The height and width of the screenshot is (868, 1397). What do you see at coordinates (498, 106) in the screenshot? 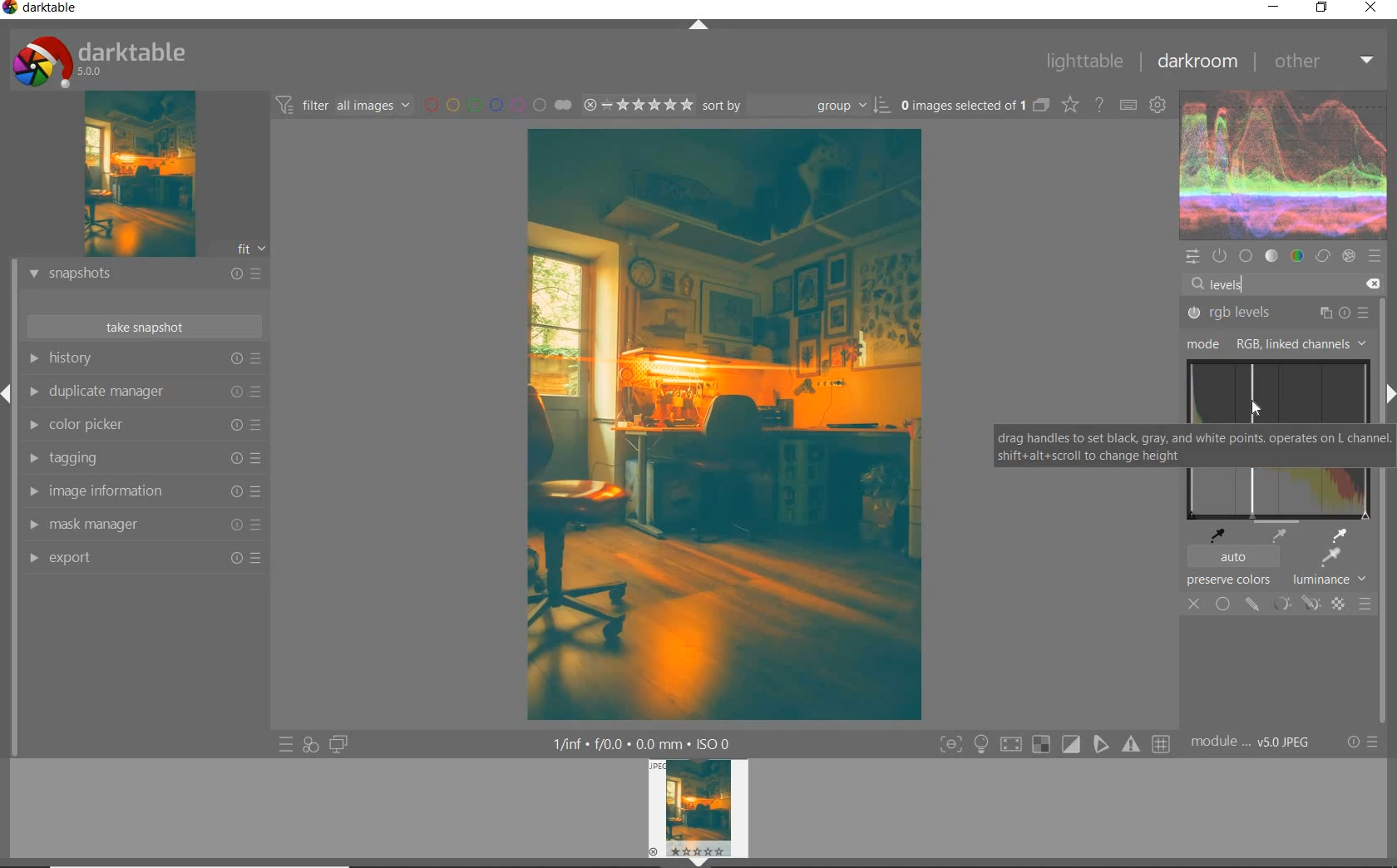
I see `filter by image color` at bounding box center [498, 106].